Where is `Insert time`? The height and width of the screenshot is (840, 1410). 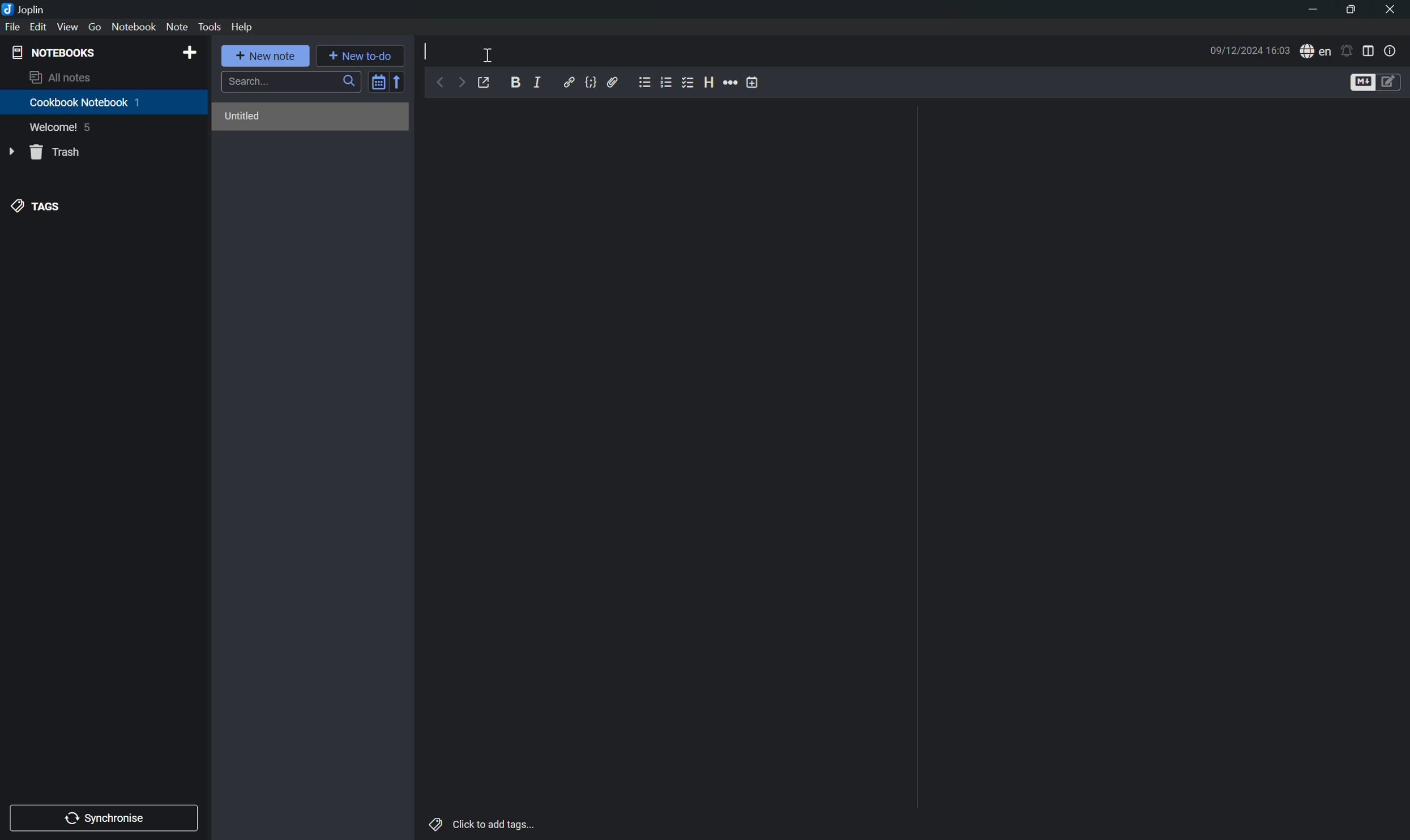
Insert time is located at coordinates (752, 82).